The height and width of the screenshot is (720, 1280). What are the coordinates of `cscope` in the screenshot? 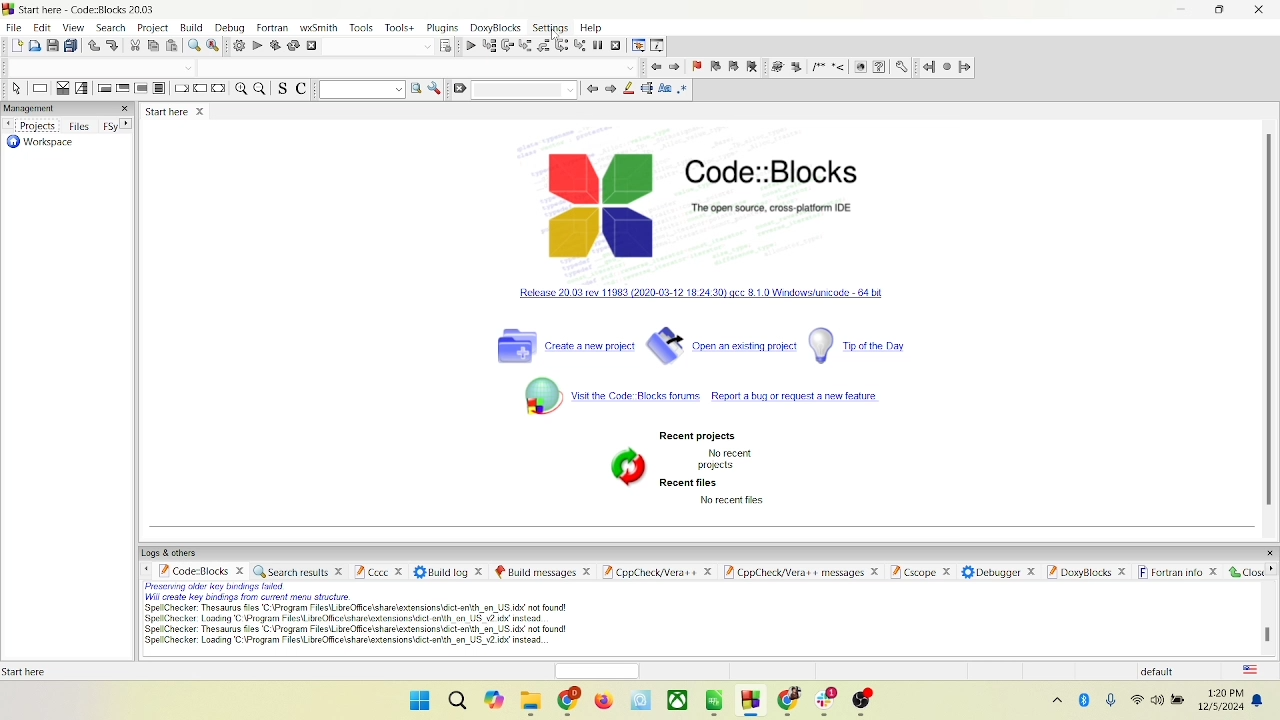 It's located at (923, 575).